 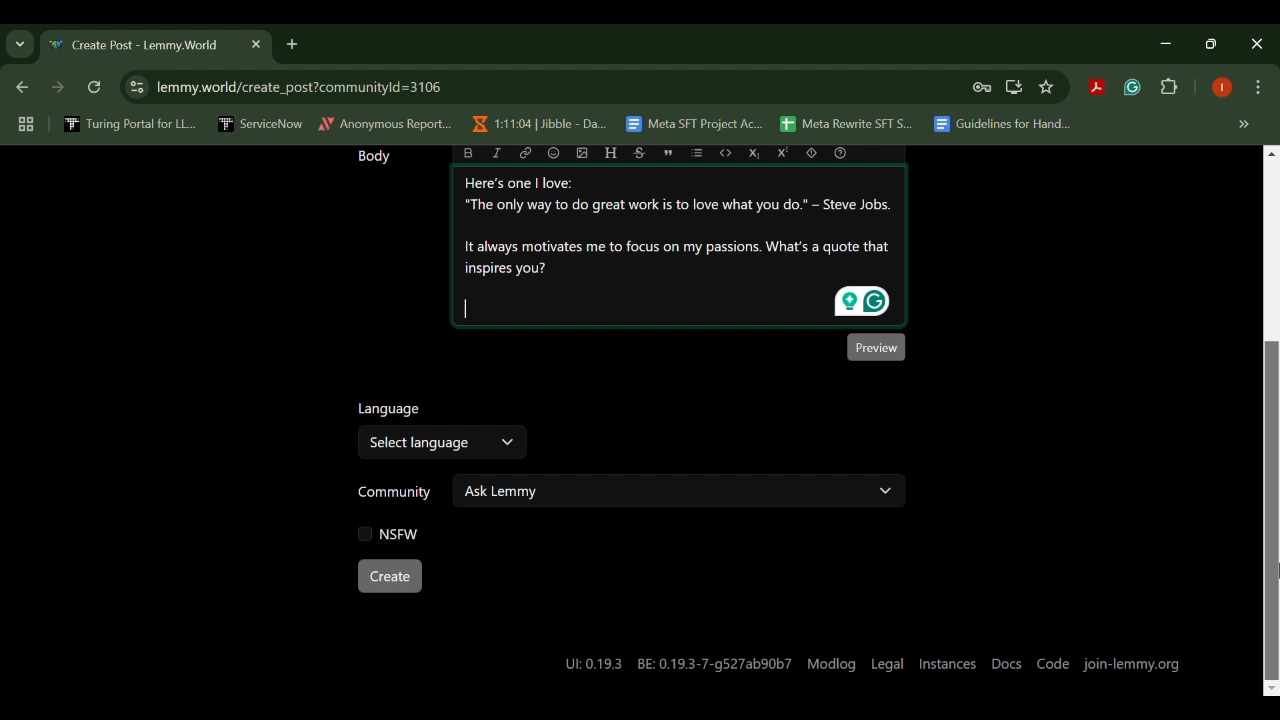 I want to click on quote, so click(x=666, y=152).